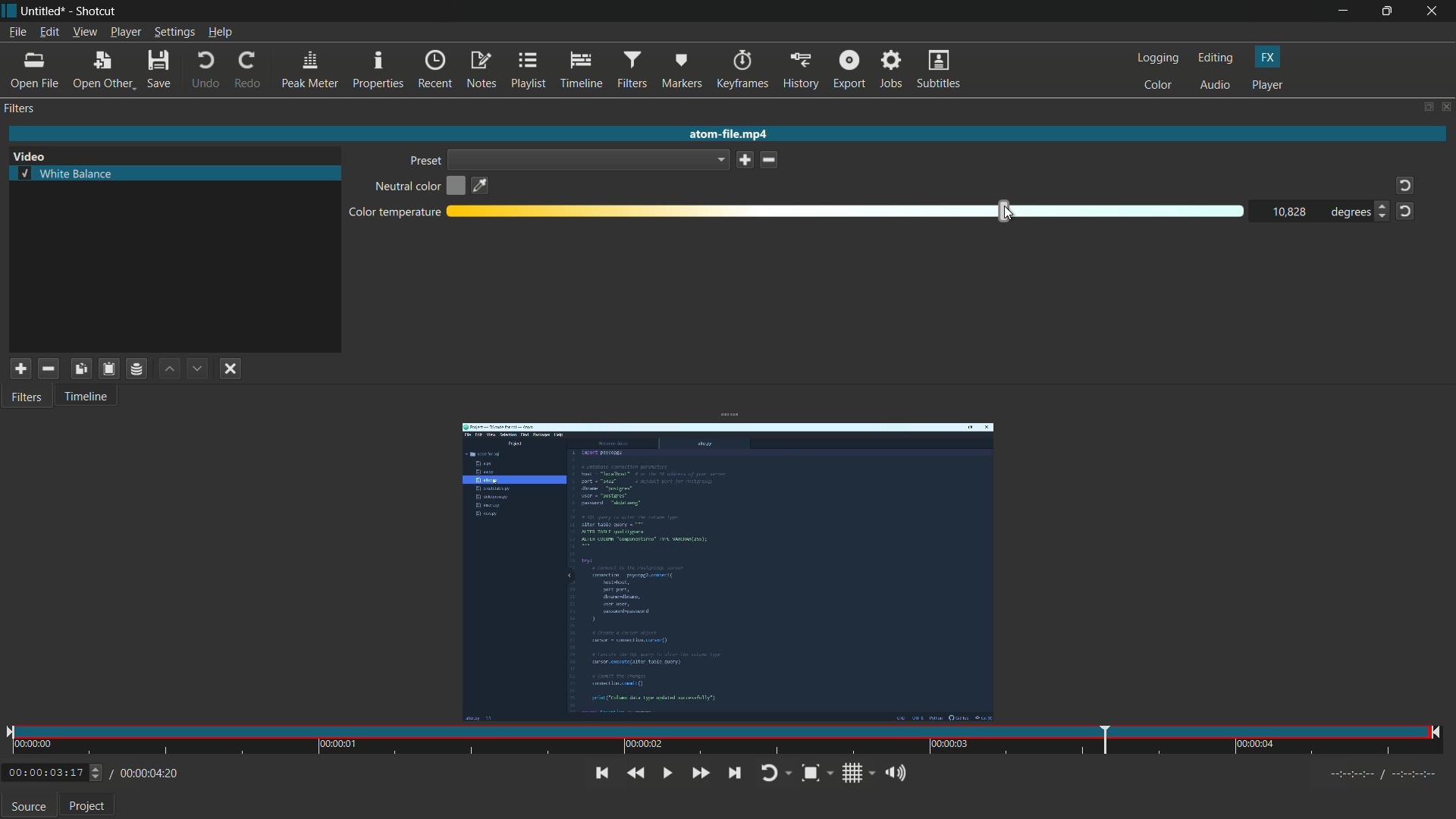  I want to click on help menu, so click(220, 32).